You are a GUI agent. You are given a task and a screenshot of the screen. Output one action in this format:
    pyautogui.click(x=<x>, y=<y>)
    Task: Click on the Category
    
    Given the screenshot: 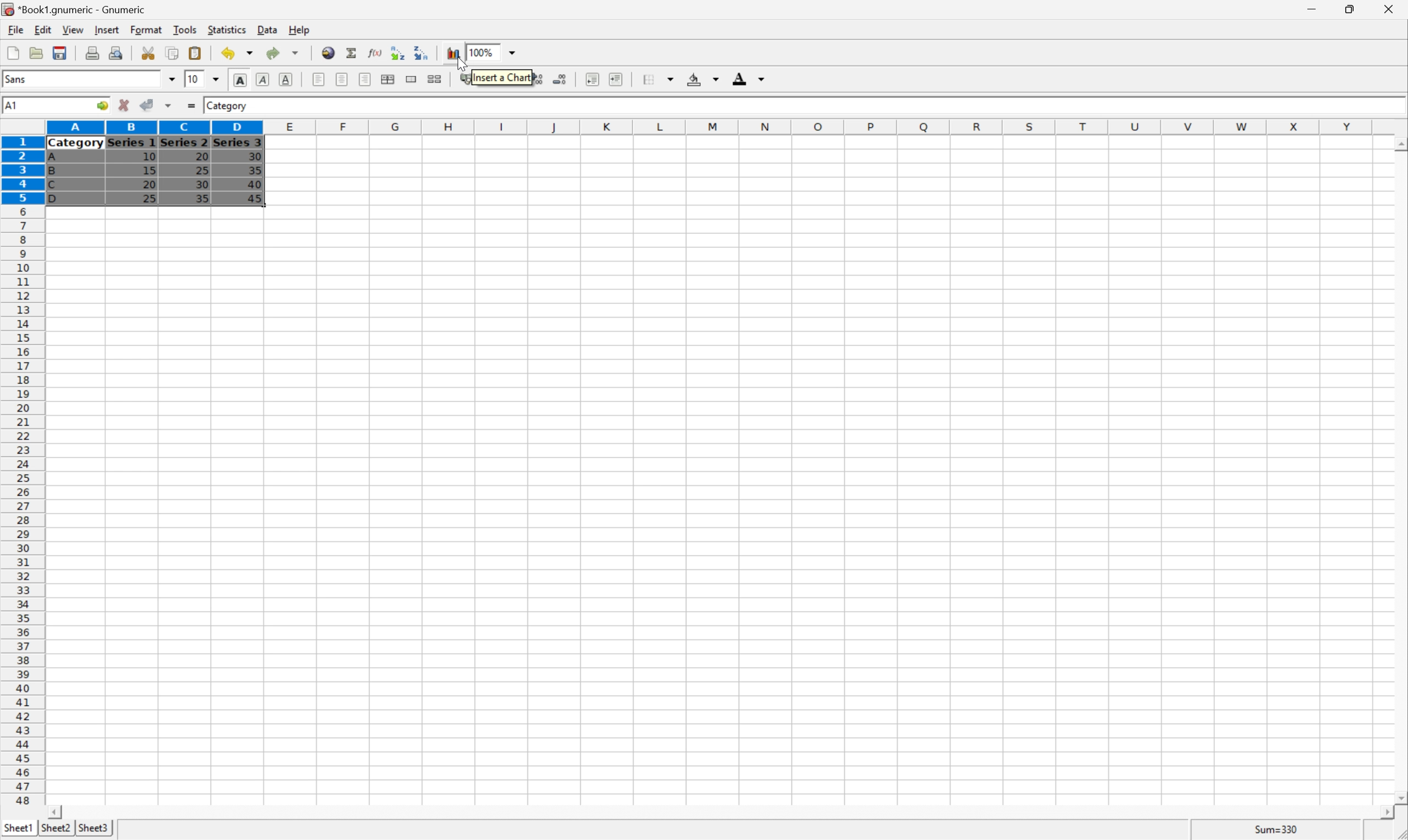 What is the action you would take?
    pyautogui.click(x=228, y=106)
    